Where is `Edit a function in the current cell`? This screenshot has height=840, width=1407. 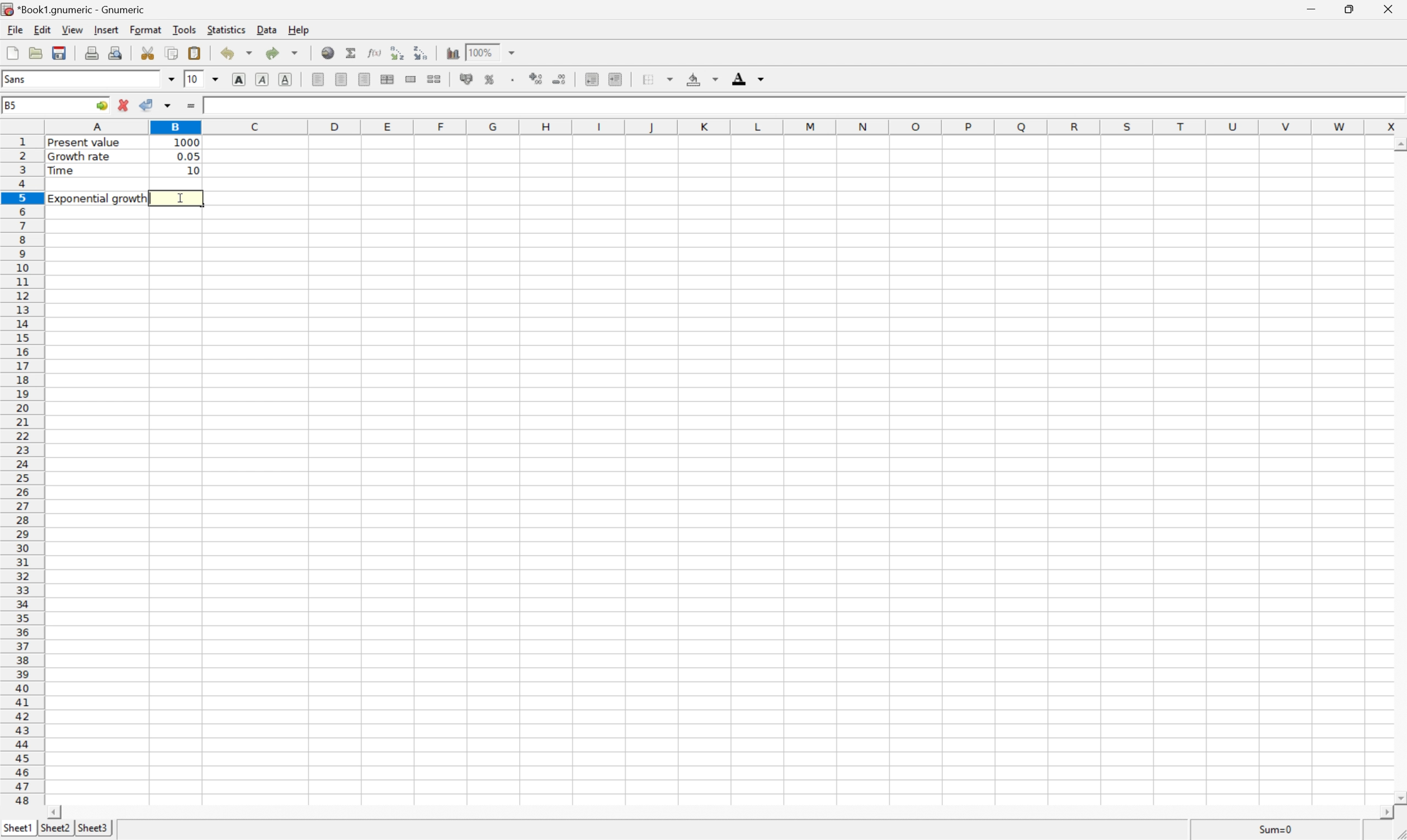
Edit a function in the current cell is located at coordinates (375, 52).